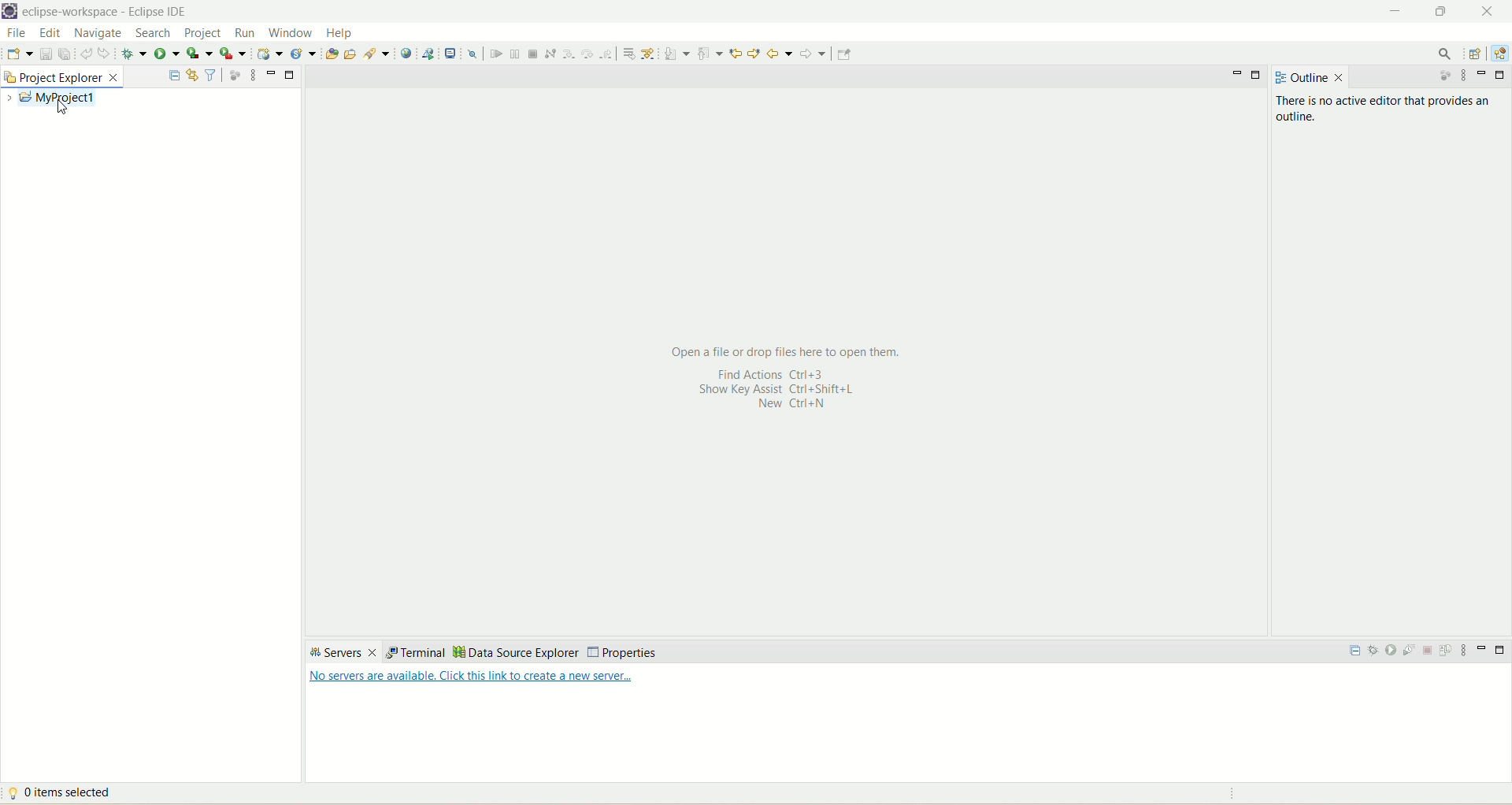 The image size is (1512, 805). What do you see at coordinates (472, 54) in the screenshot?
I see `skip all breakpoints` at bounding box center [472, 54].